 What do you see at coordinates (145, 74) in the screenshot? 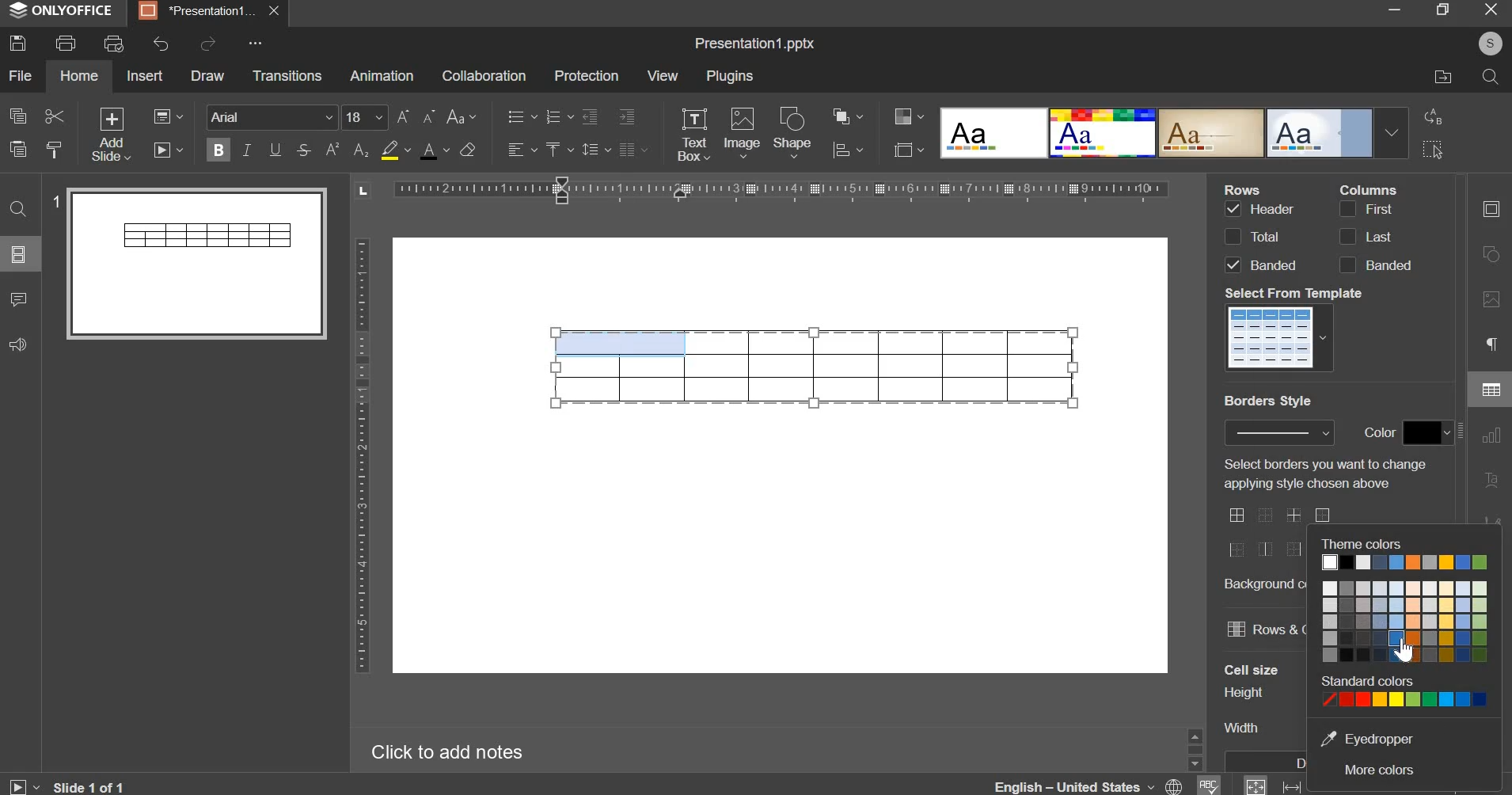
I see `insert` at bounding box center [145, 74].